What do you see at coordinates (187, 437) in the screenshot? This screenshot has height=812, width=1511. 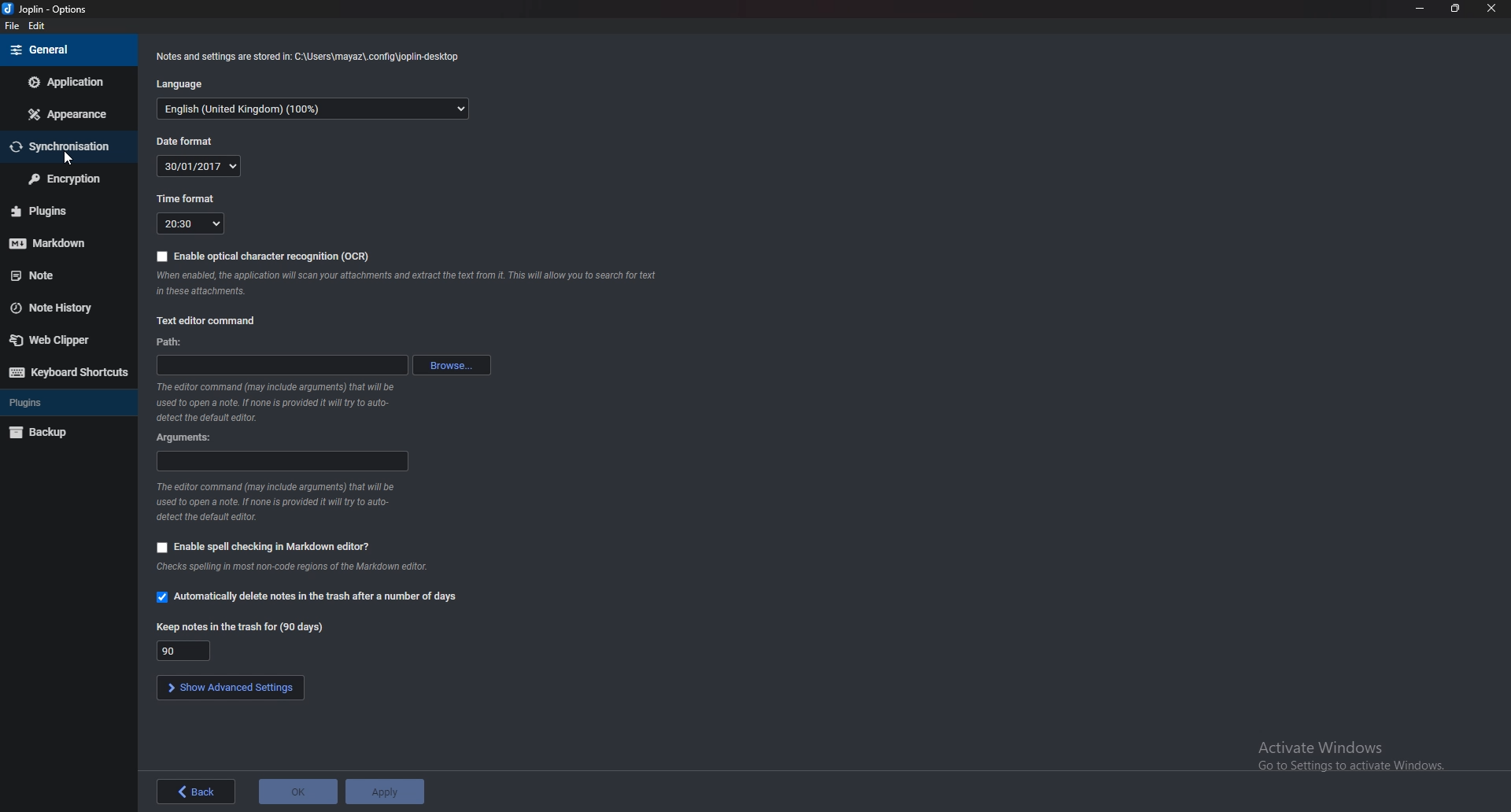 I see `arguments` at bounding box center [187, 437].